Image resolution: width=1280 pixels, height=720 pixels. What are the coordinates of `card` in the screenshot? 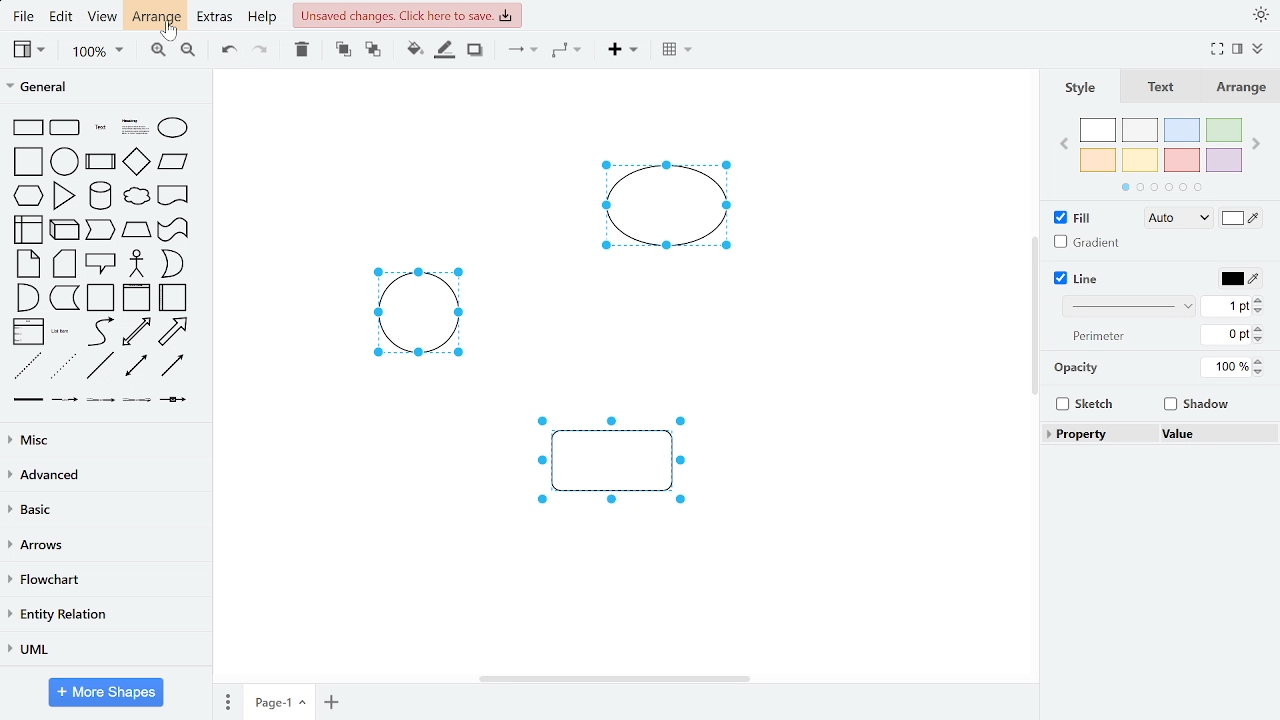 It's located at (65, 264).